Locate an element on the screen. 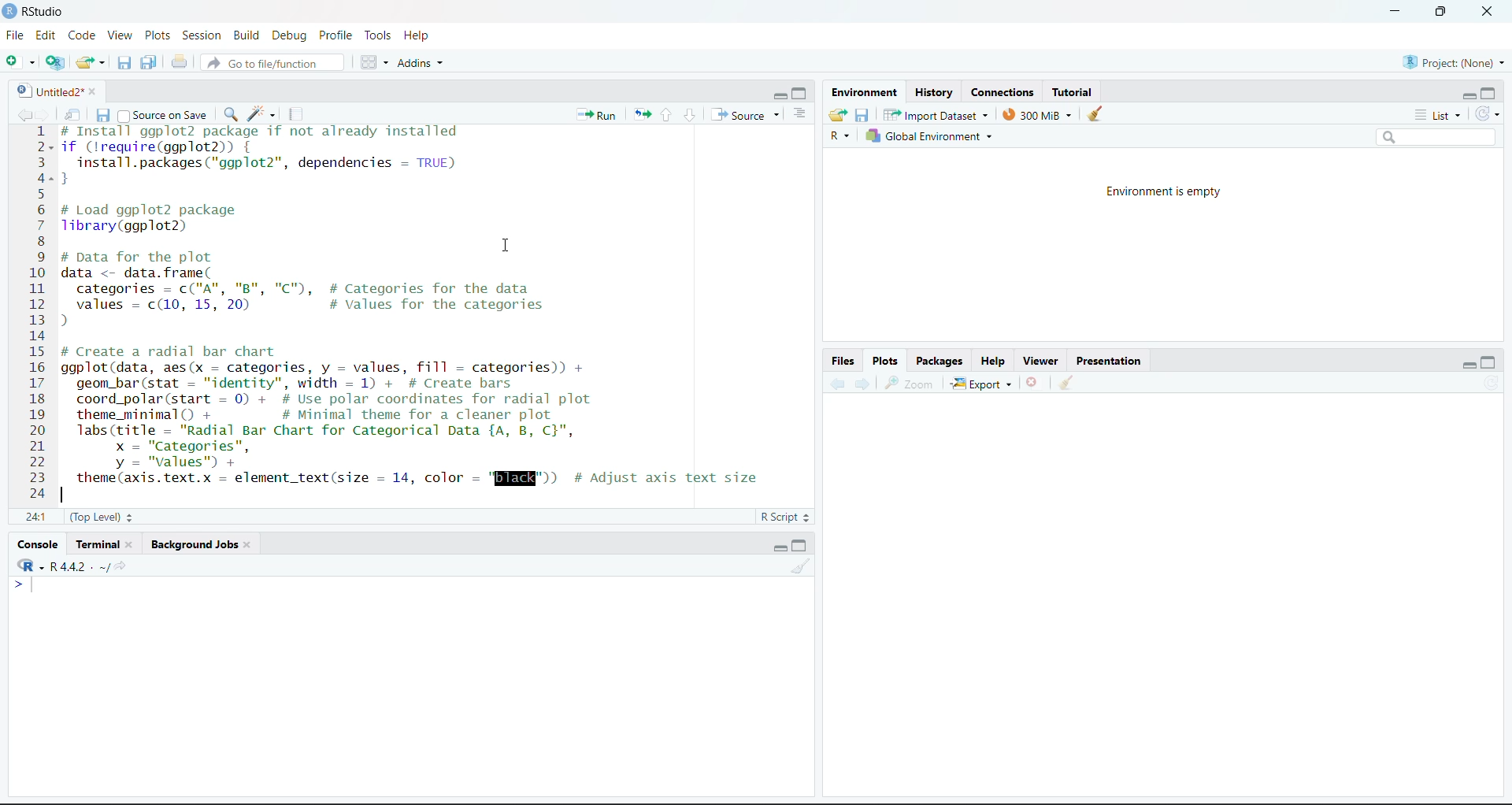 The image size is (1512, 805). global Environment  is located at coordinates (932, 135).